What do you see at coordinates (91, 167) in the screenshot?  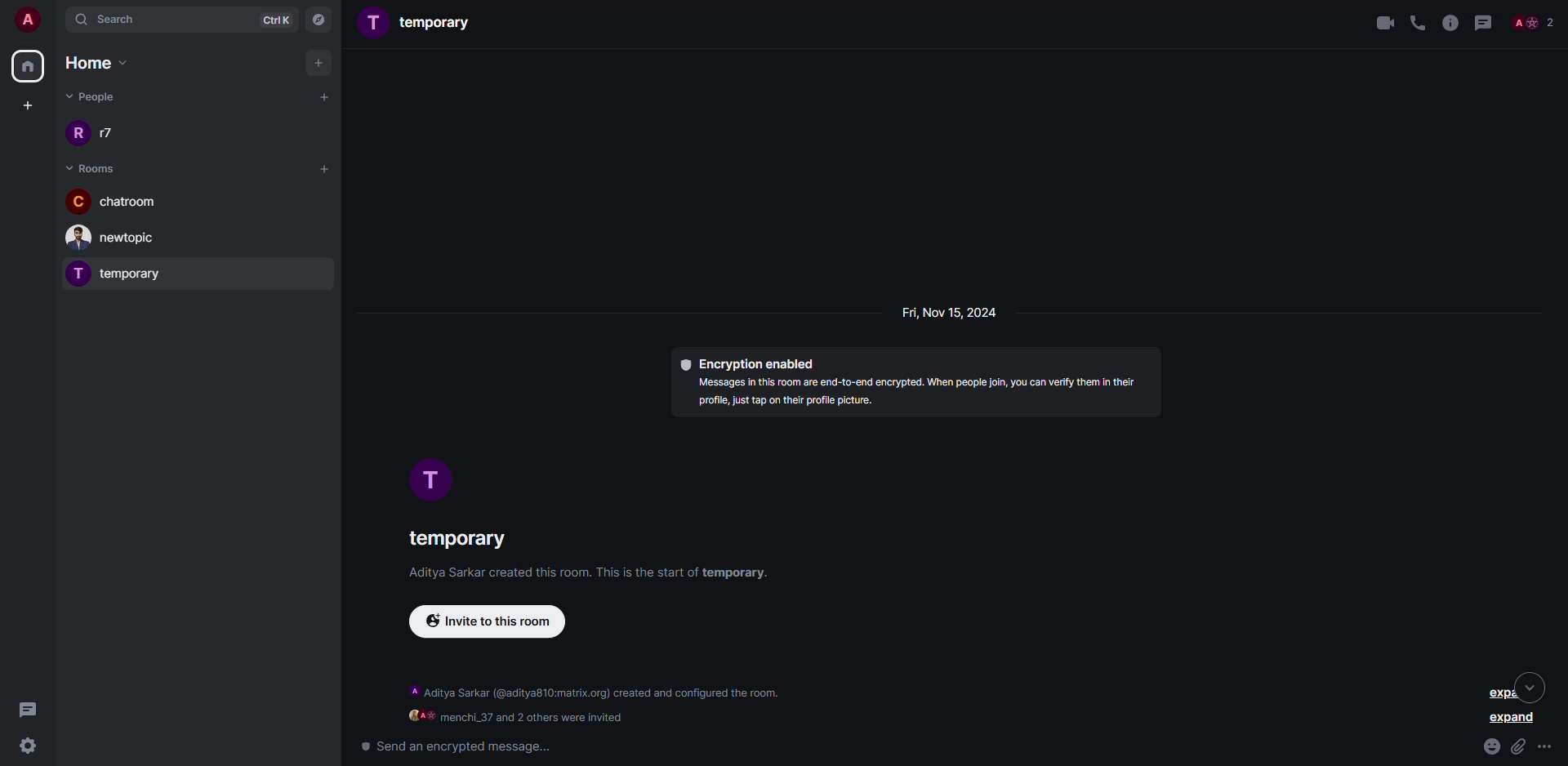 I see `room` at bounding box center [91, 167].